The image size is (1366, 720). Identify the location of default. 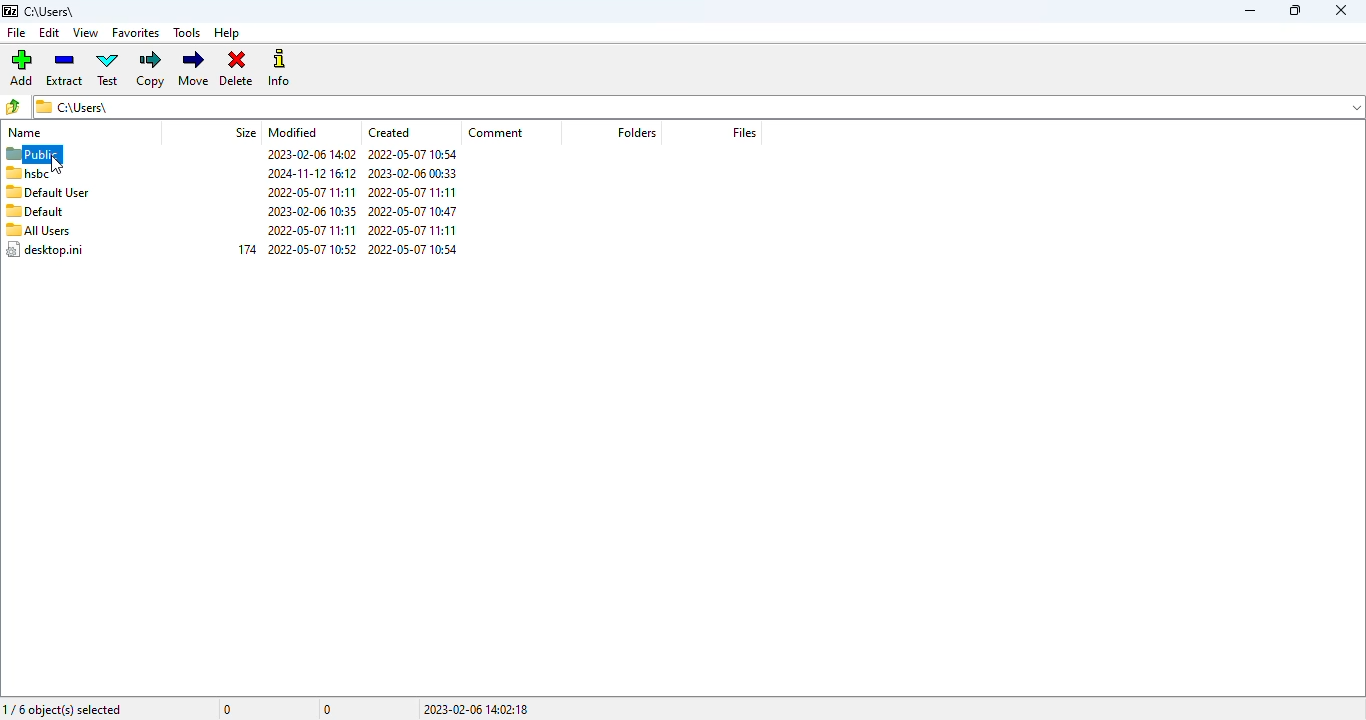
(37, 212).